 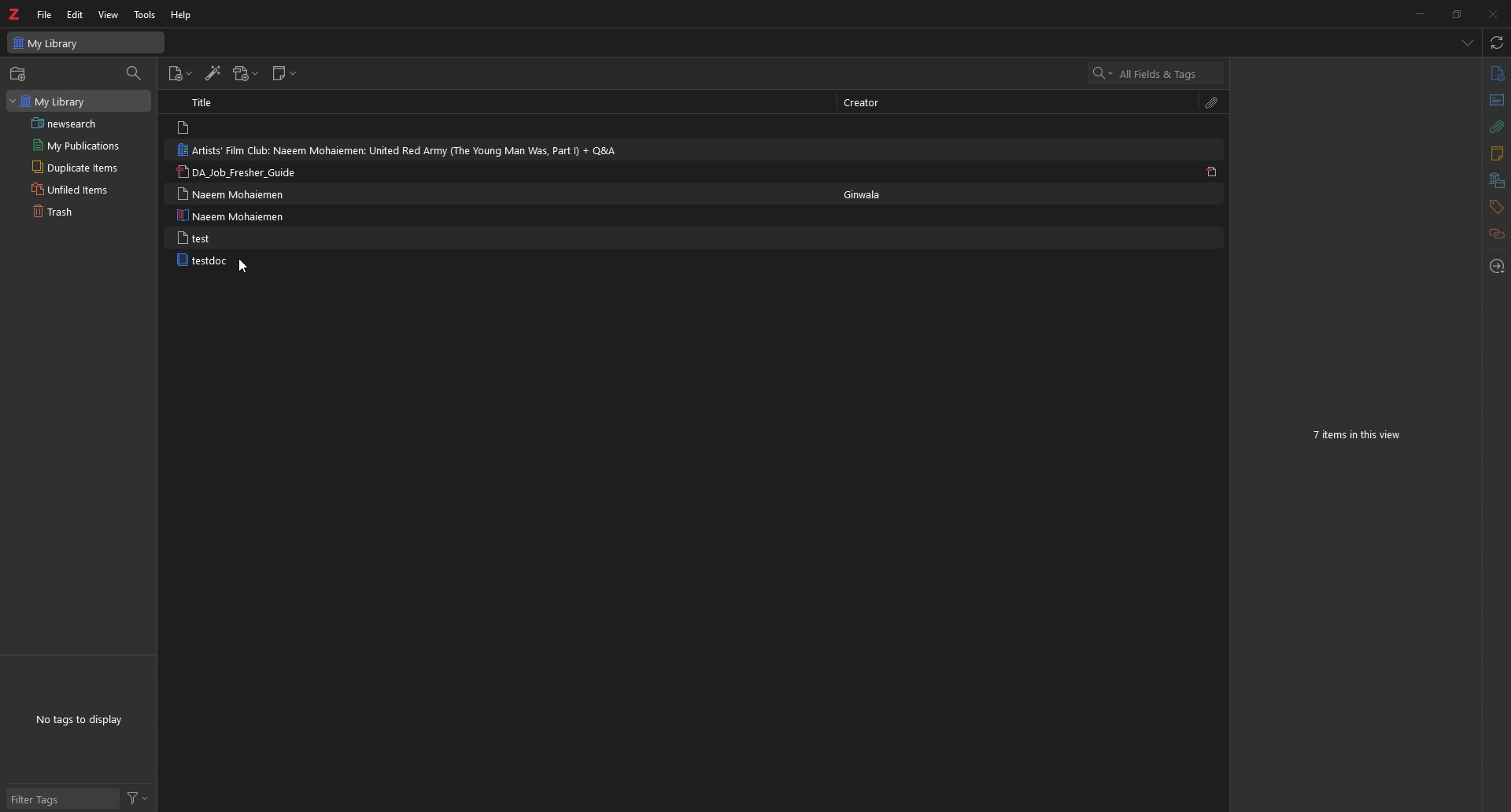 I want to click on Edit, so click(x=75, y=14).